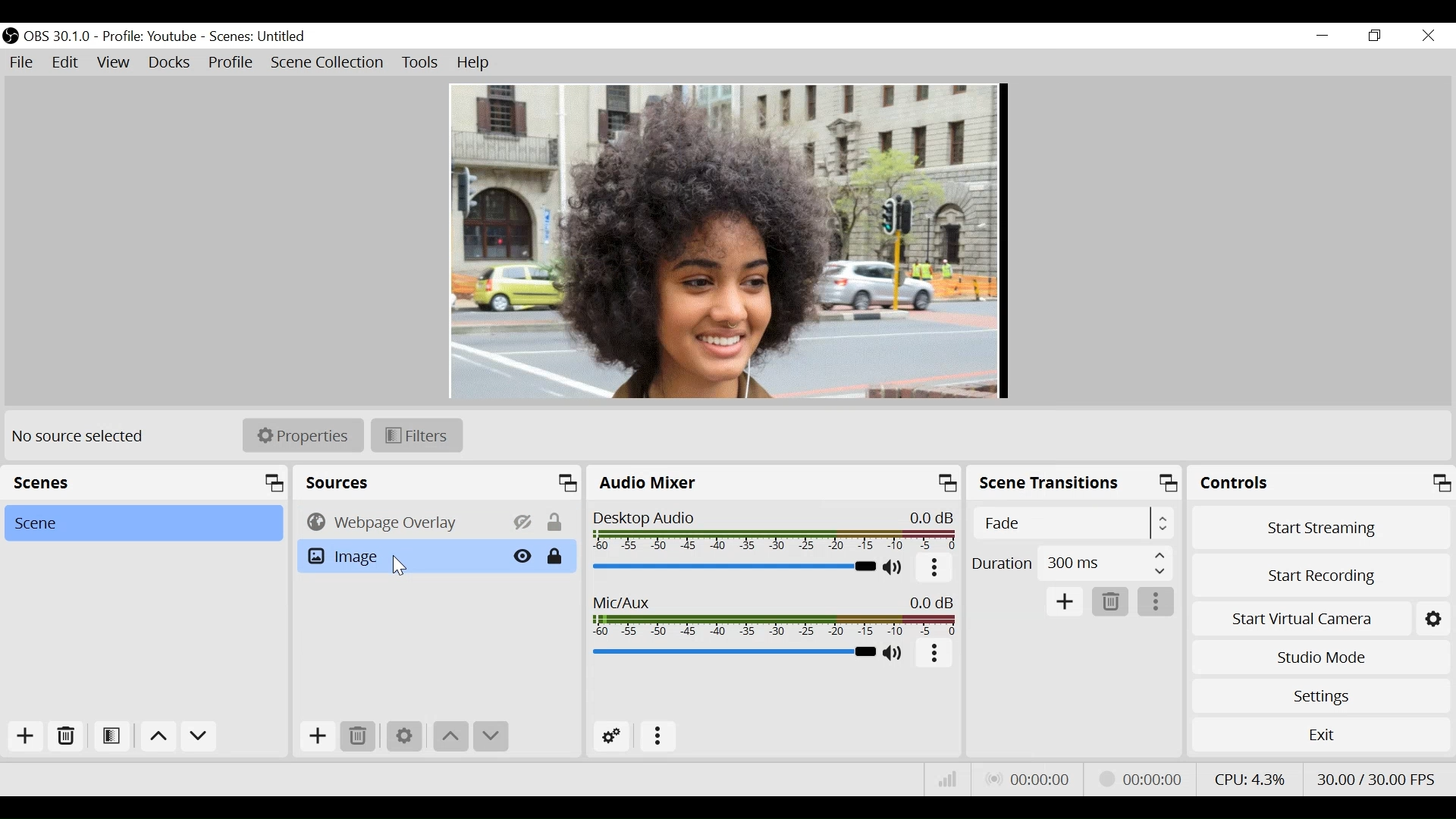 This screenshot has width=1456, height=819. Describe the element at coordinates (1071, 565) in the screenshot. I see `Duration` at that location.